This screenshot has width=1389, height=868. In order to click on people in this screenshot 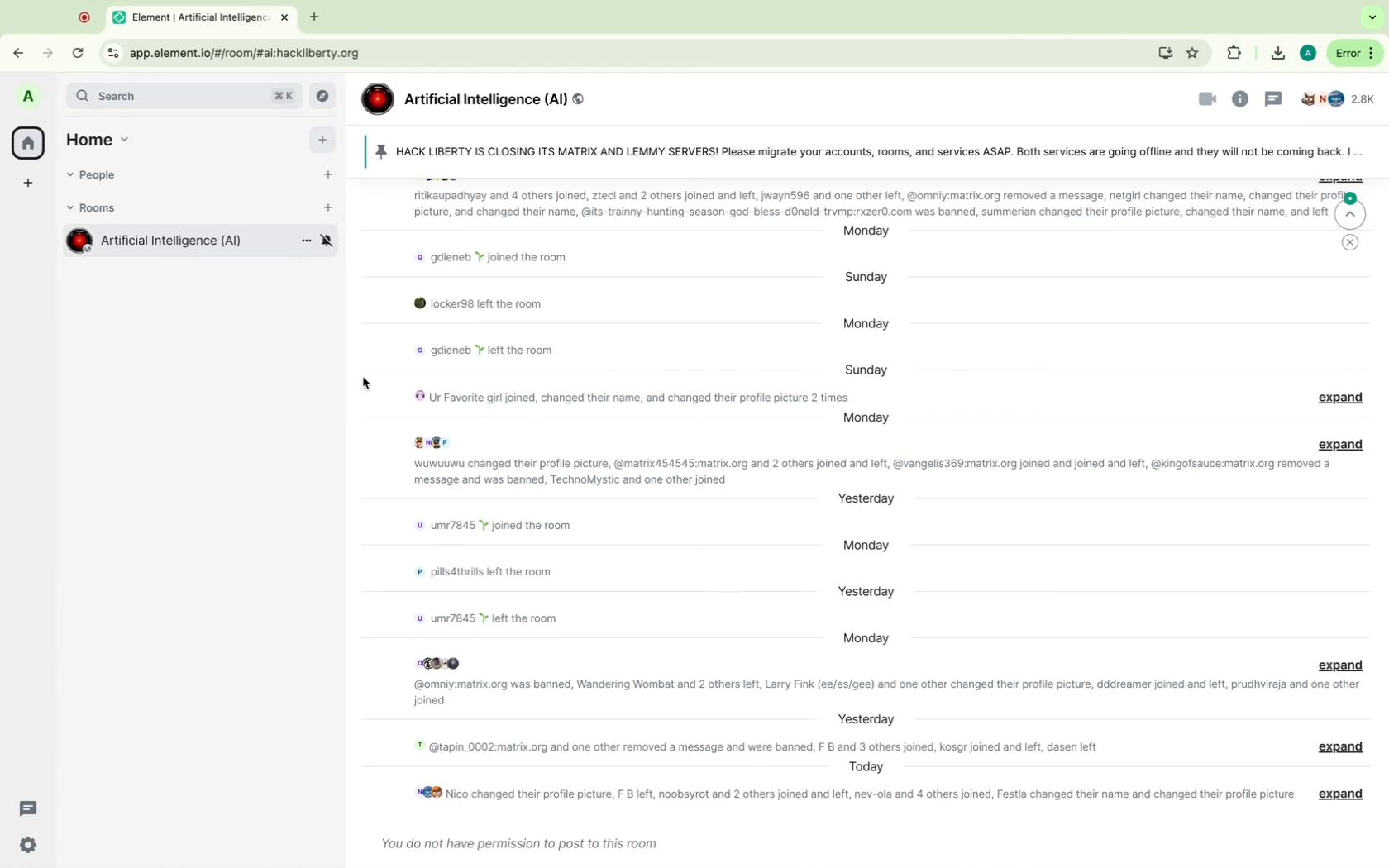, I will do `click(97, 175)`.